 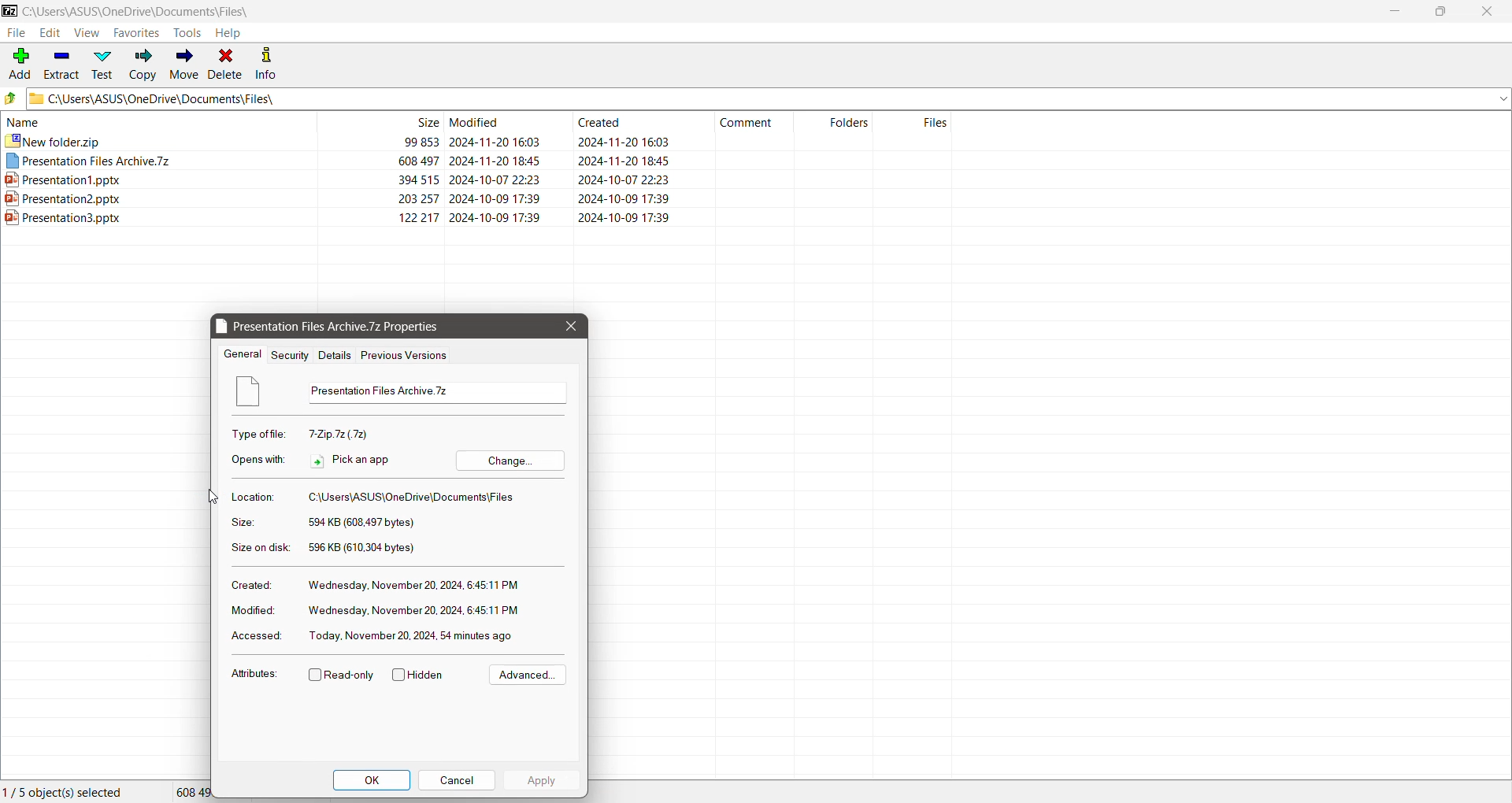 I want to click on Archive File type, so click(x=347, y=434).